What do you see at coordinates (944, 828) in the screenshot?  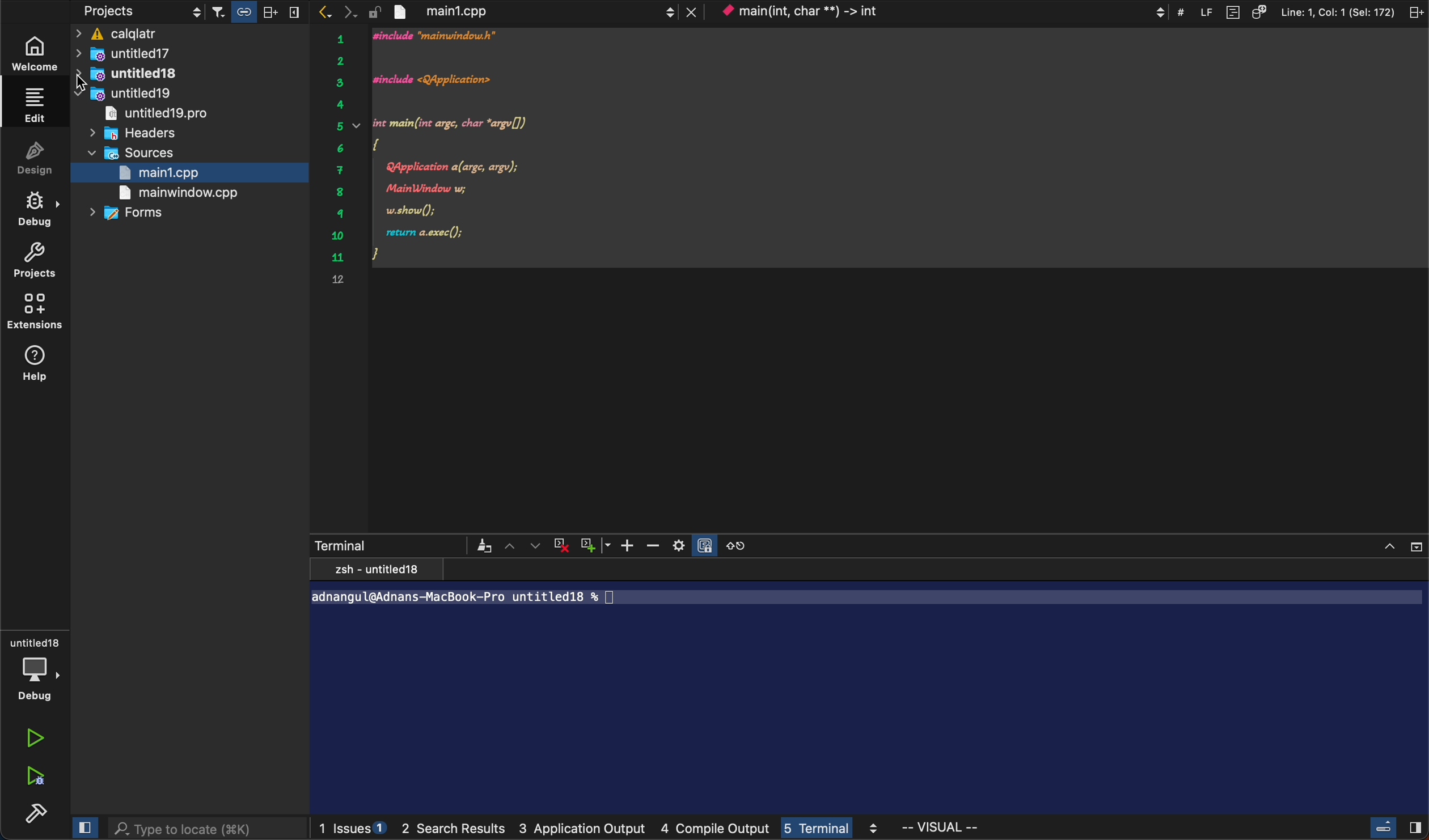 I see `visual` at bounding box center [944, 828].